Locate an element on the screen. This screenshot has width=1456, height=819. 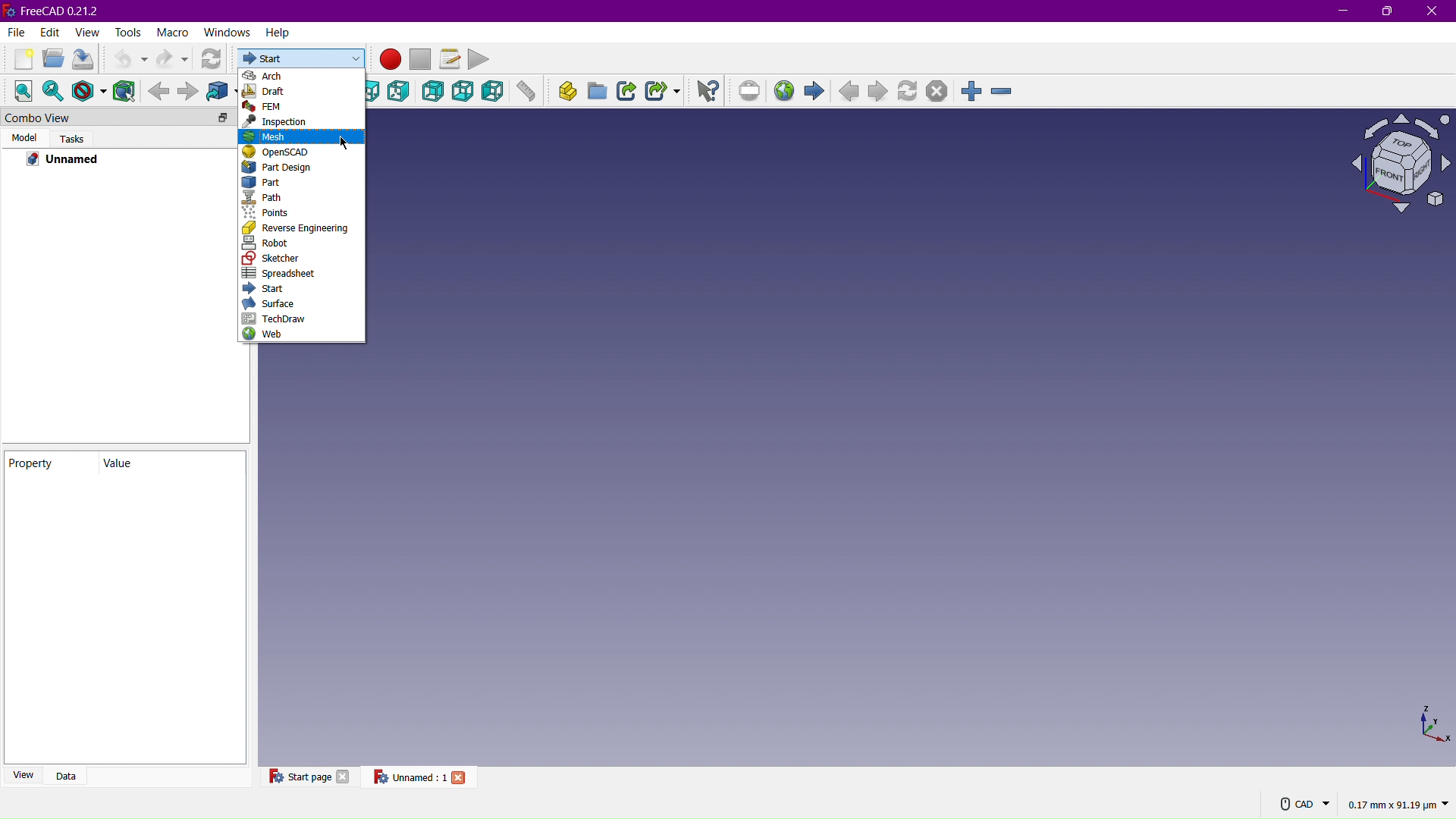
Spreadsheet is located at coordinates (281, 273).